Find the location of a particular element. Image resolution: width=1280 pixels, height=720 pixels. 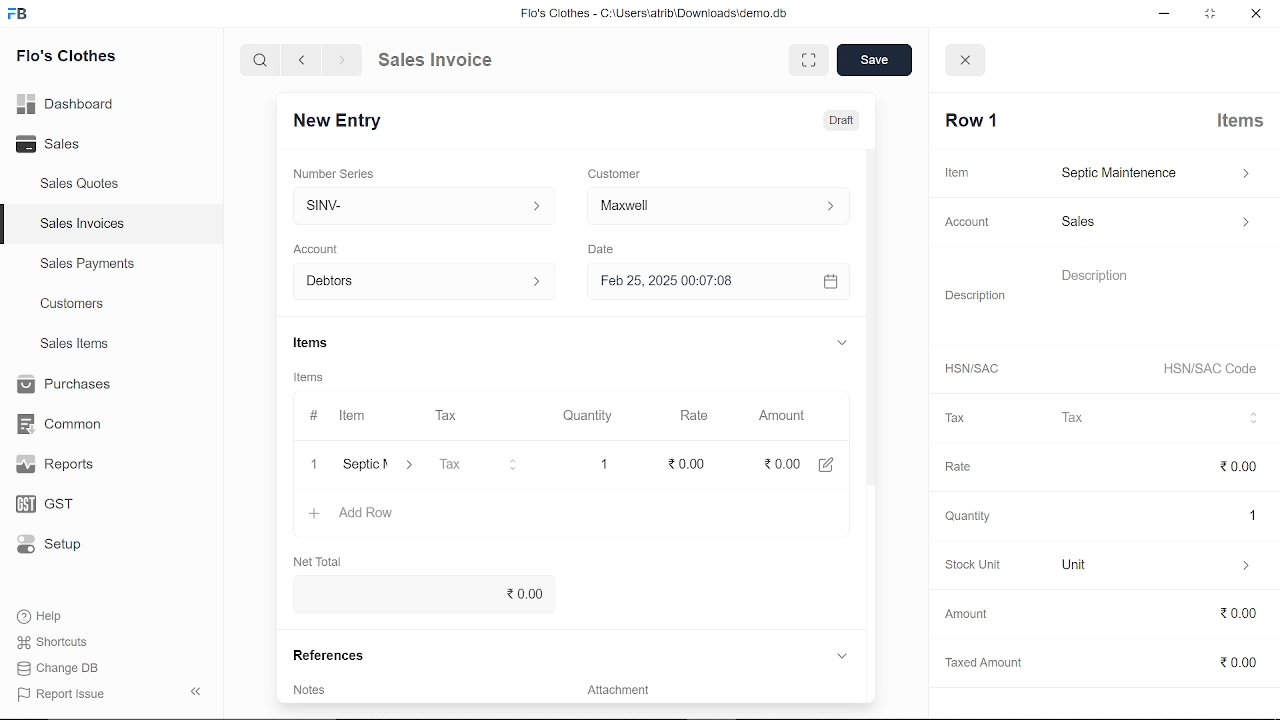

Dashboard is located at coordinates (67, 107).